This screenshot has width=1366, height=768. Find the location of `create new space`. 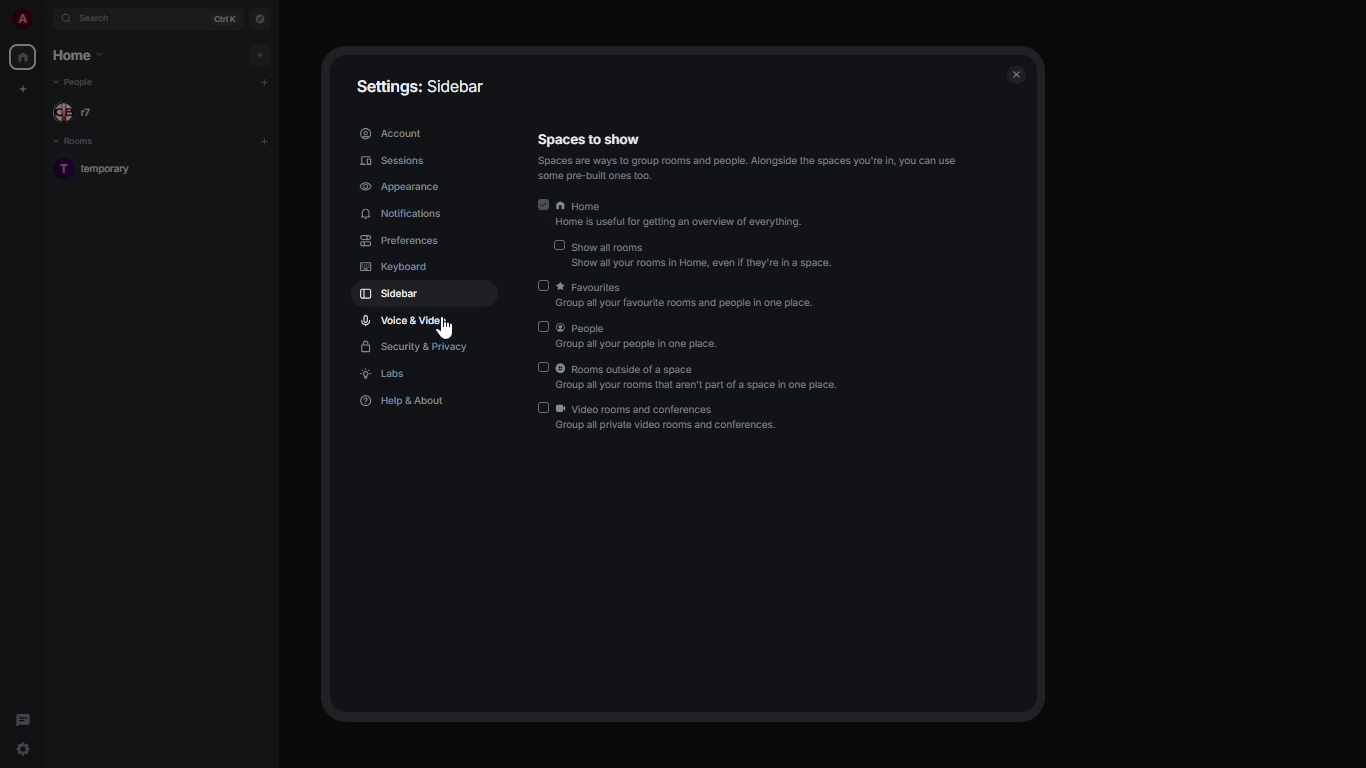

create new space is located at coordinates (24, 89).